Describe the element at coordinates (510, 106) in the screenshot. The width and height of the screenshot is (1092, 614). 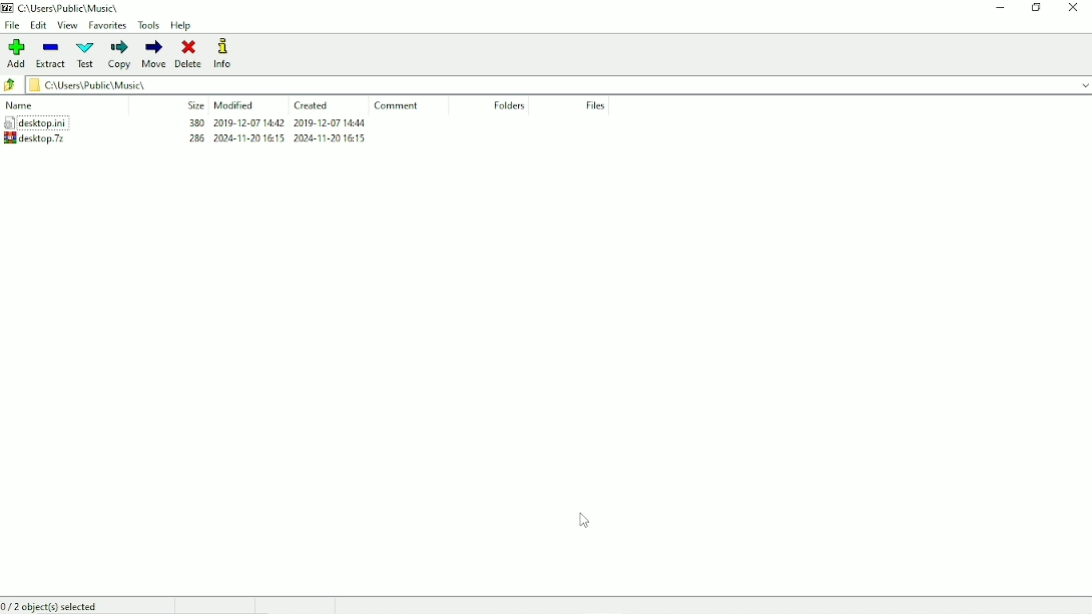
I see `Folders` at that location.